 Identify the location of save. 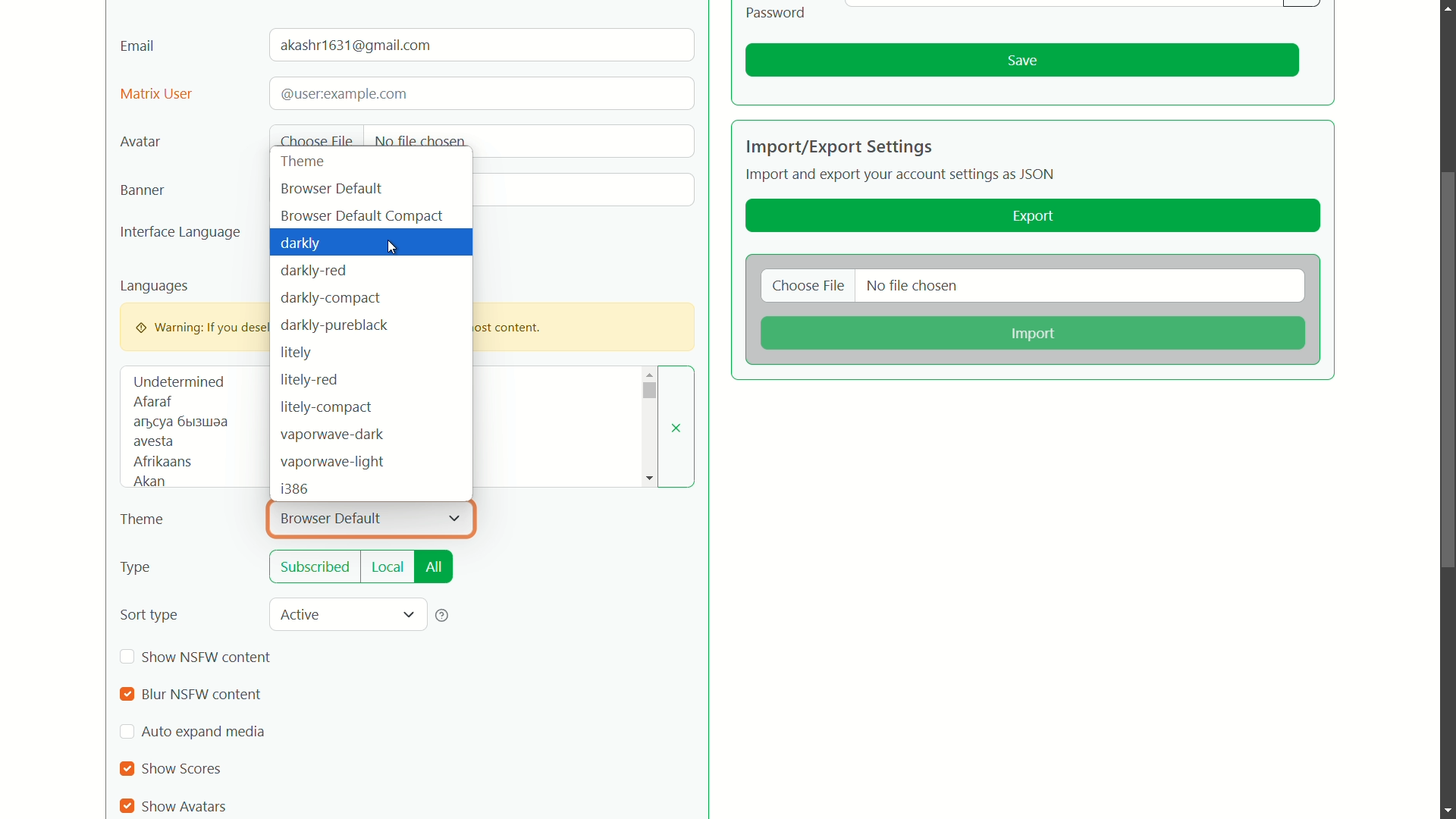
(1022, 61).